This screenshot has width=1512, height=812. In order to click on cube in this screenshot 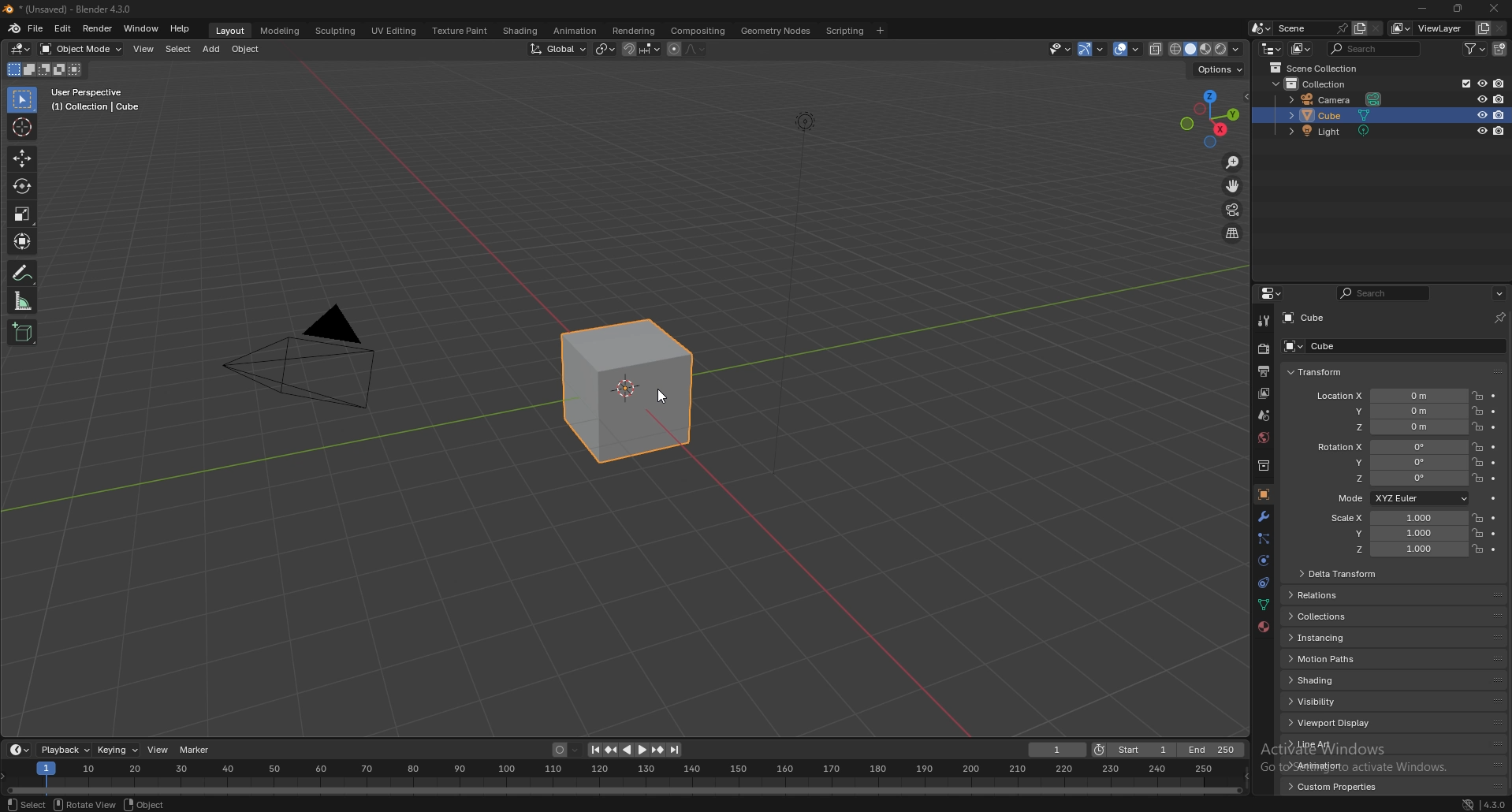, I will do `click(637, 392)`.